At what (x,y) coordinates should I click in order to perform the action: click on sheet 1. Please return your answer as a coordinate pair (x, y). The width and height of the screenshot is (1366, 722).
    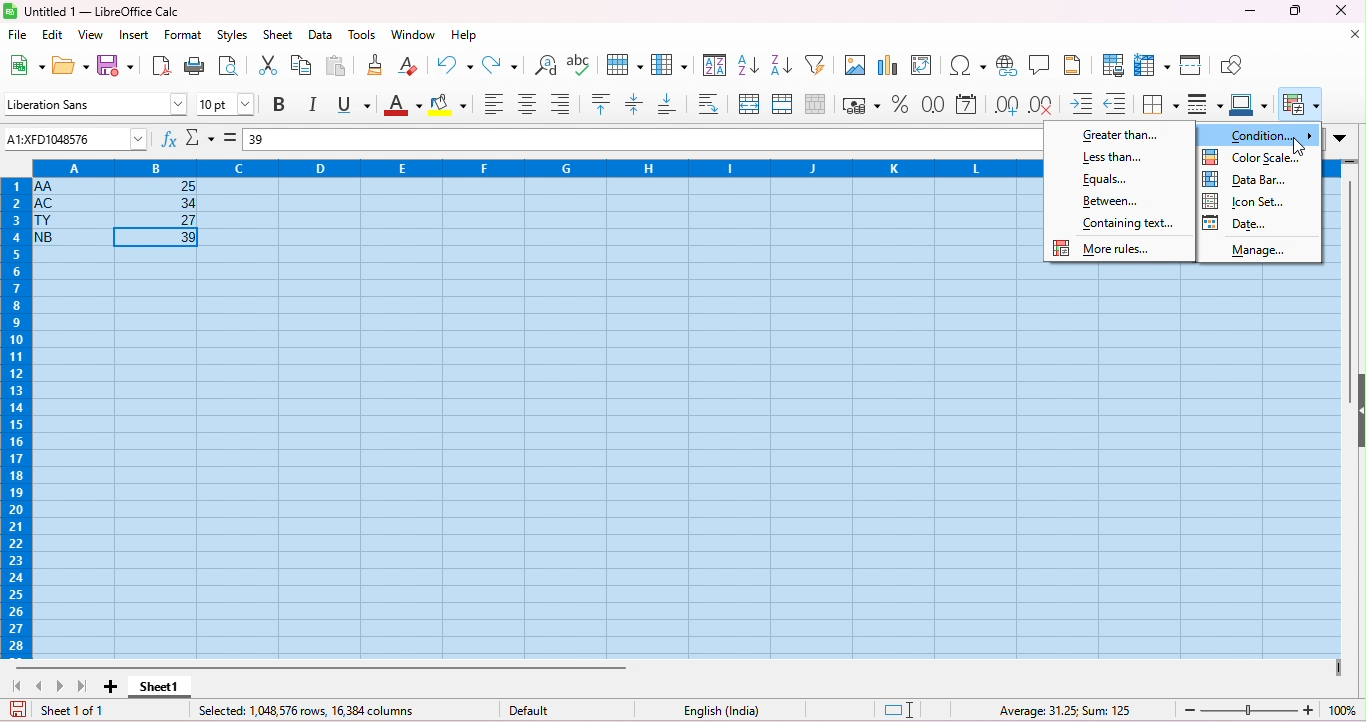
    Looking at the image, I should click on (163, 689).